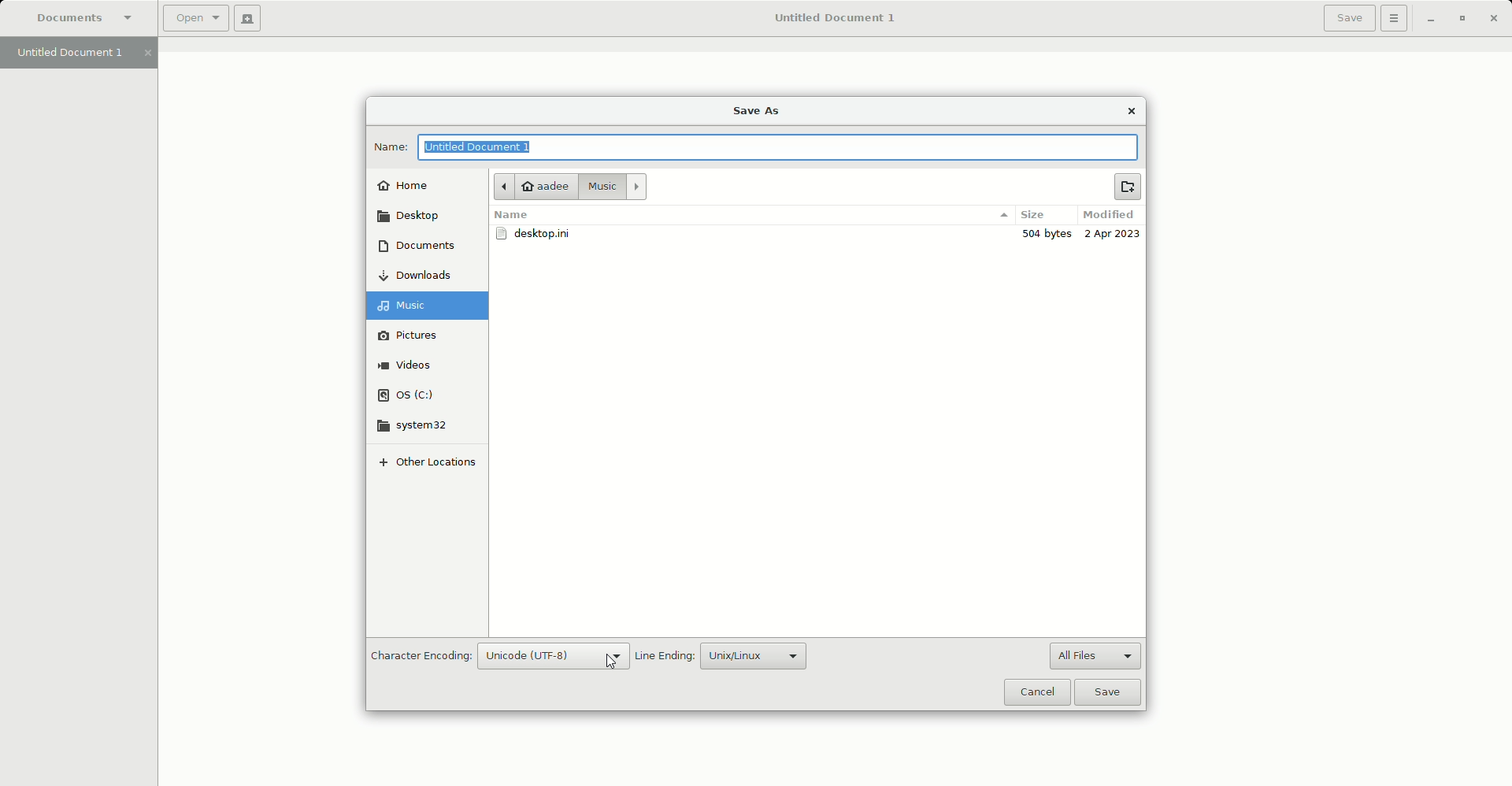 The height and width of the screenshot is (786, 1512). What do you see at coordinates (750, 656) in the screenshot?
I see `Unix` at bounding box center [750, 656].